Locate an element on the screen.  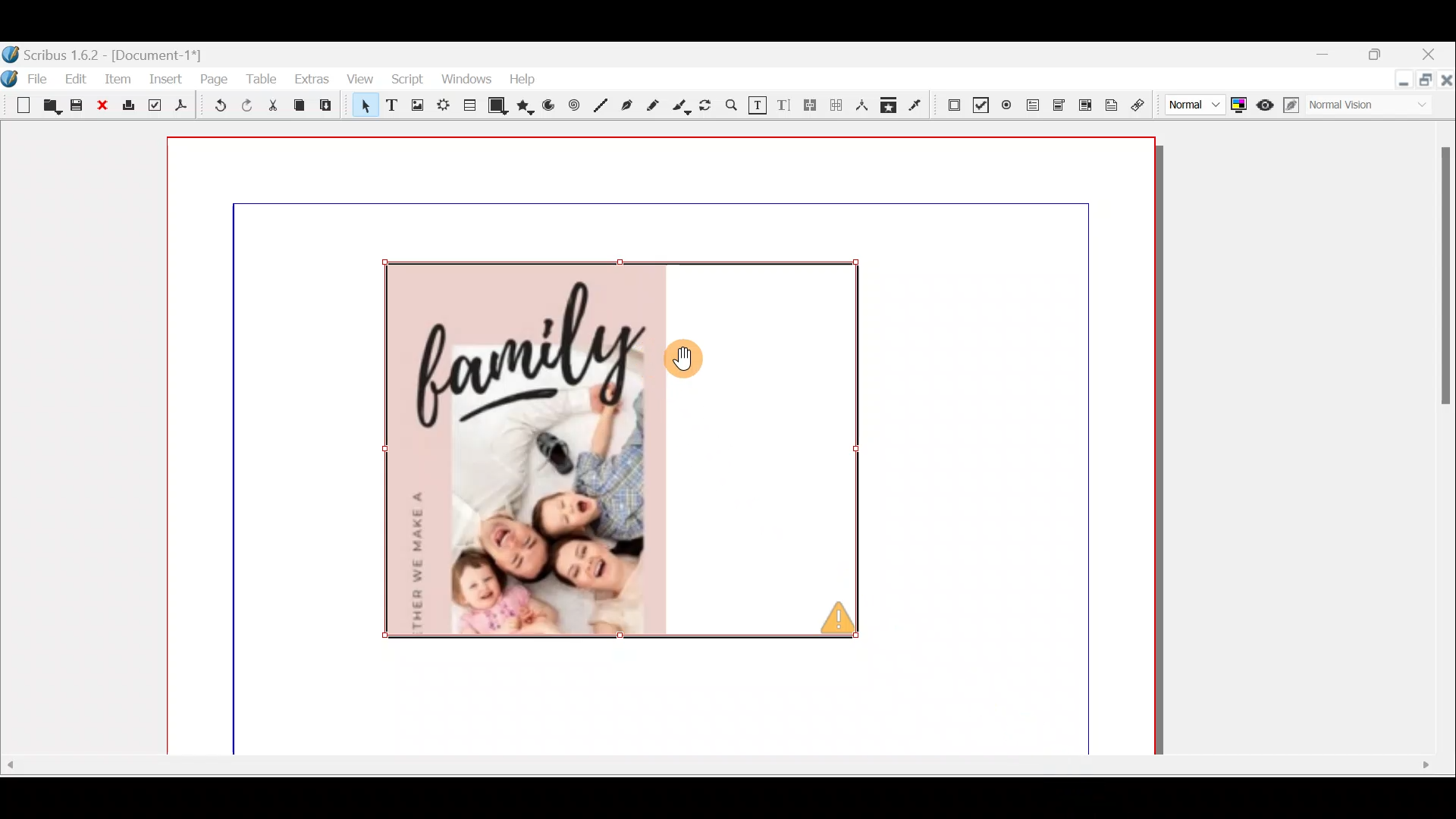
Cut is located at coordinates (272, 108).